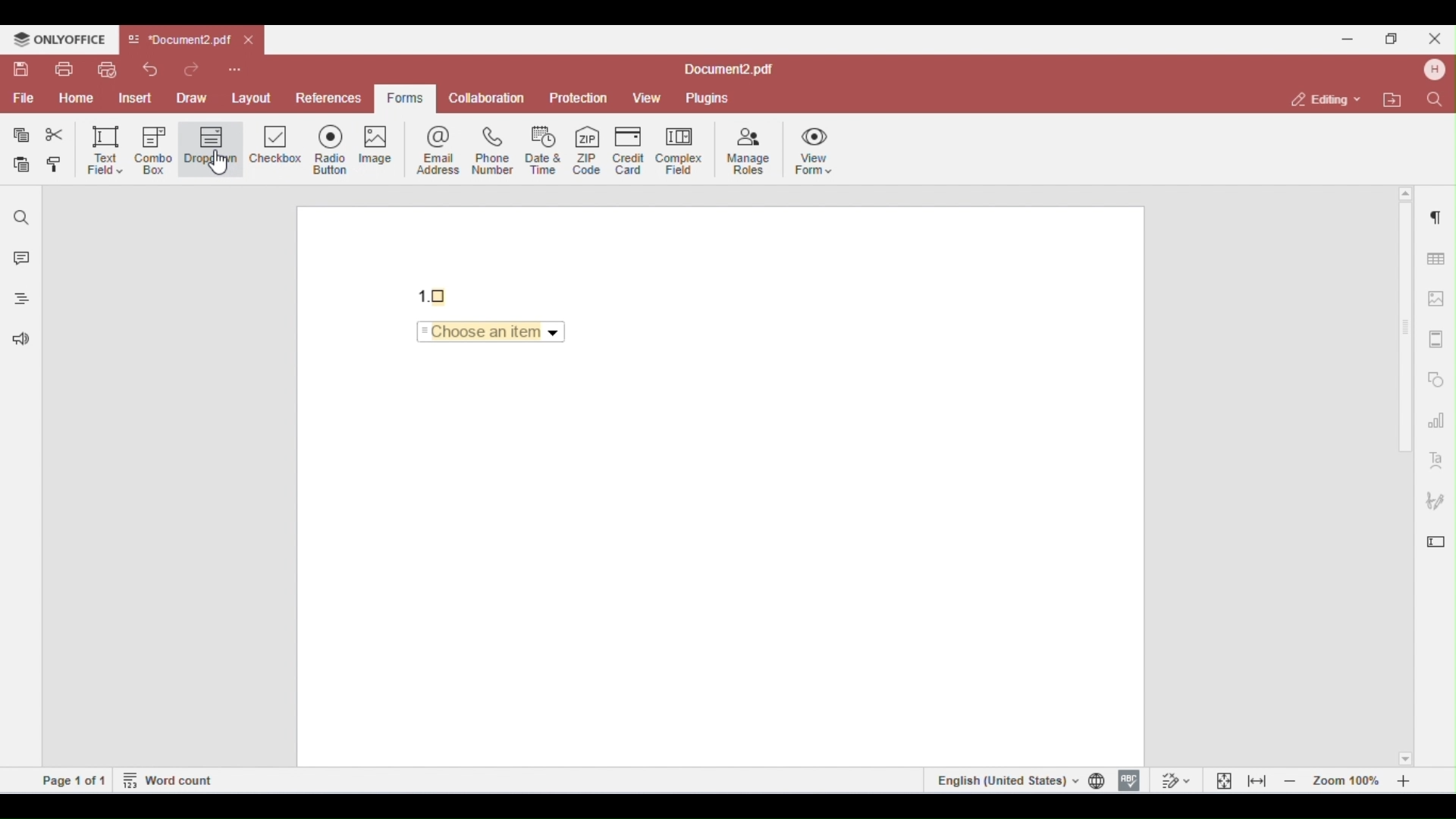 This screenshot has height=819, width=1456. Describe the element at coordinates (55, 135) in the screenshot. I see `cut` at that location.